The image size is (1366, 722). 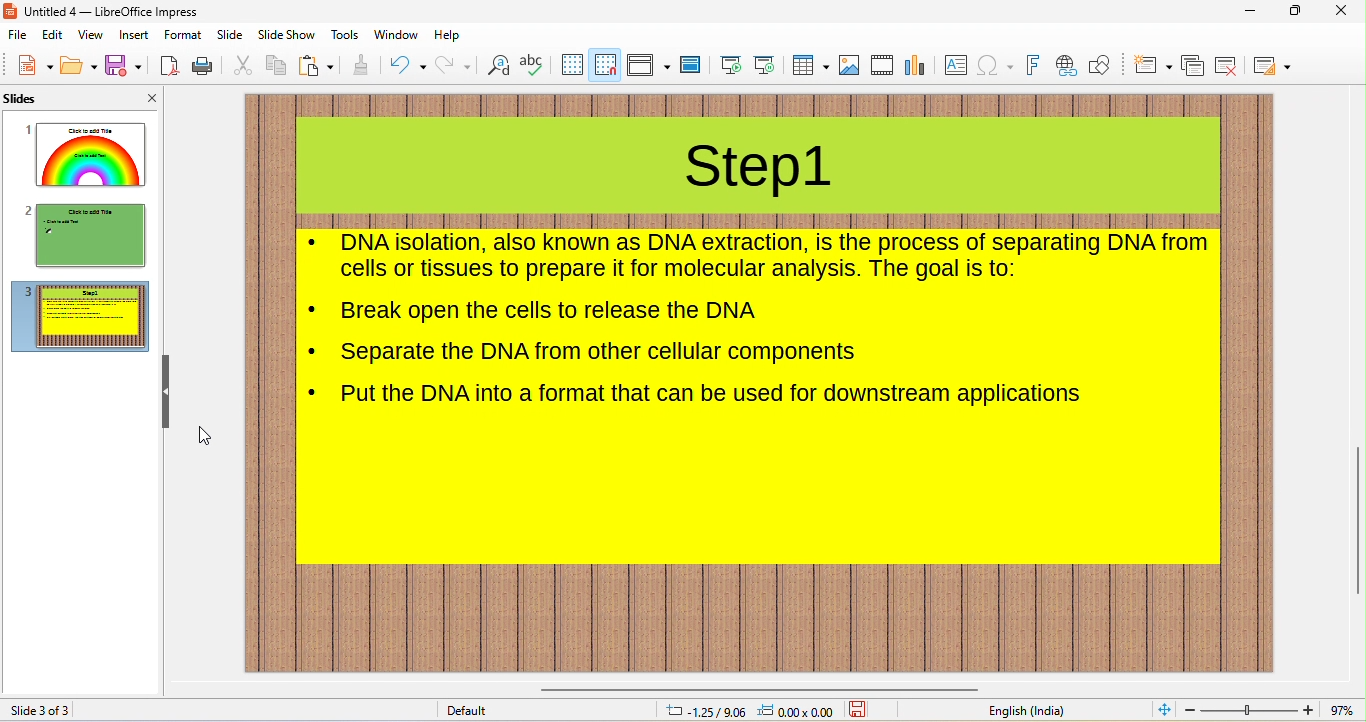 What do you see at coordinates (1025, 711) in the screenshot?
I see `english` at bounding box center [1025, 711].